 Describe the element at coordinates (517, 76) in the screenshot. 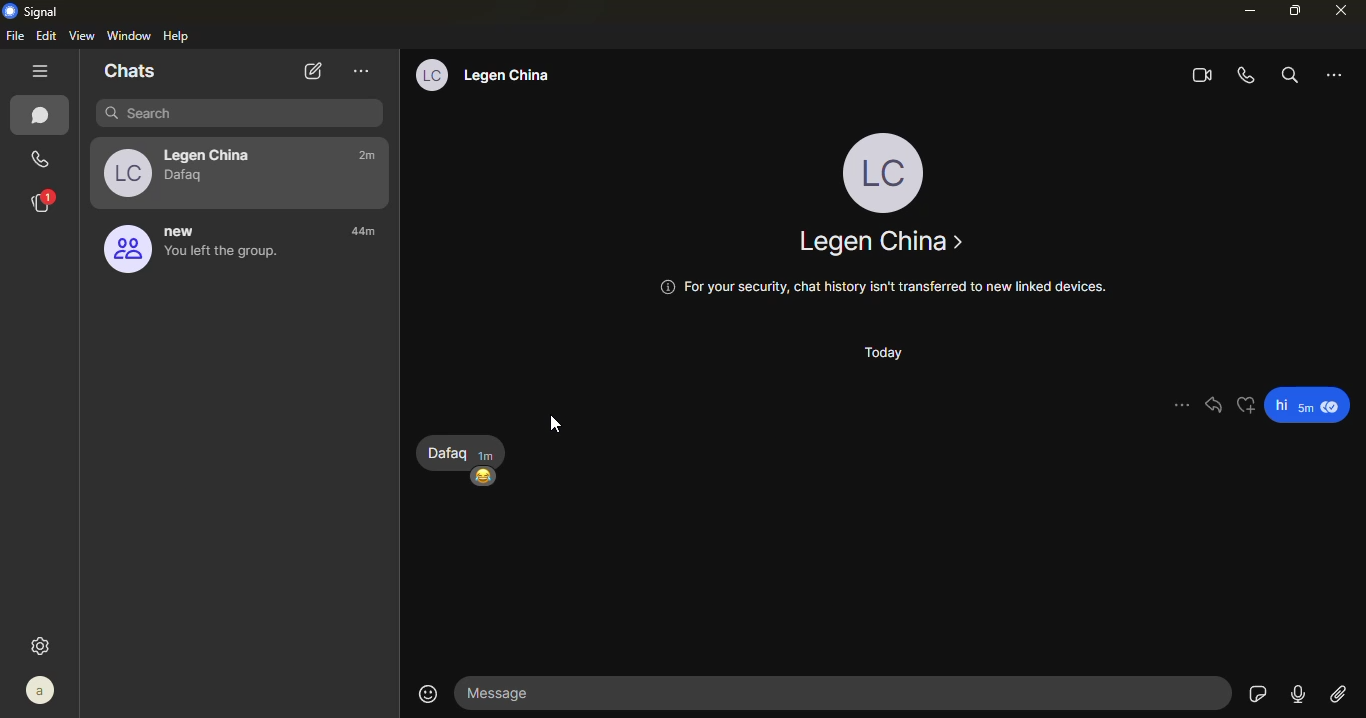

I see `Legan china` at that location.